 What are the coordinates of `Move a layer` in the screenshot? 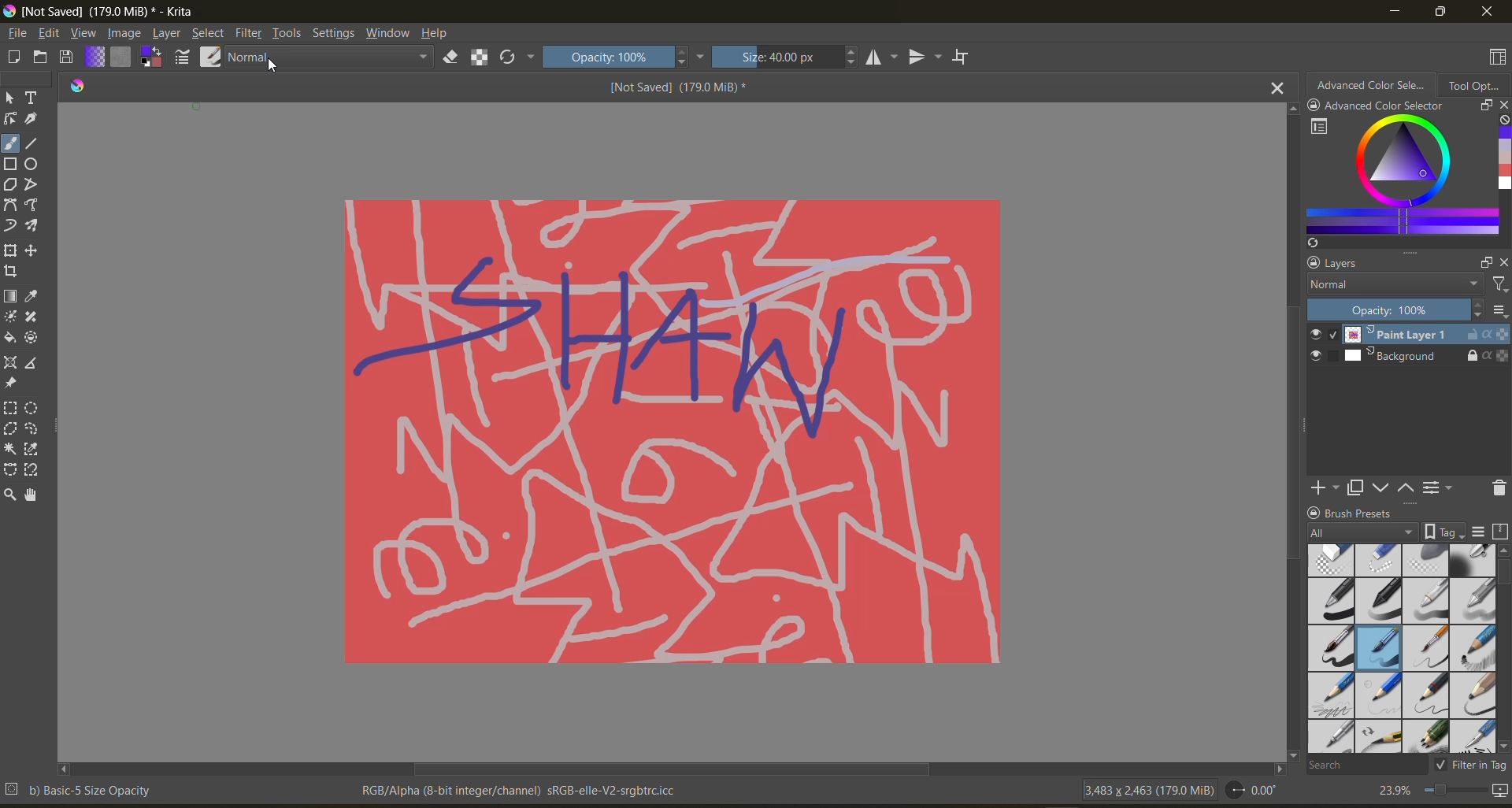 It's located at (35, 250).